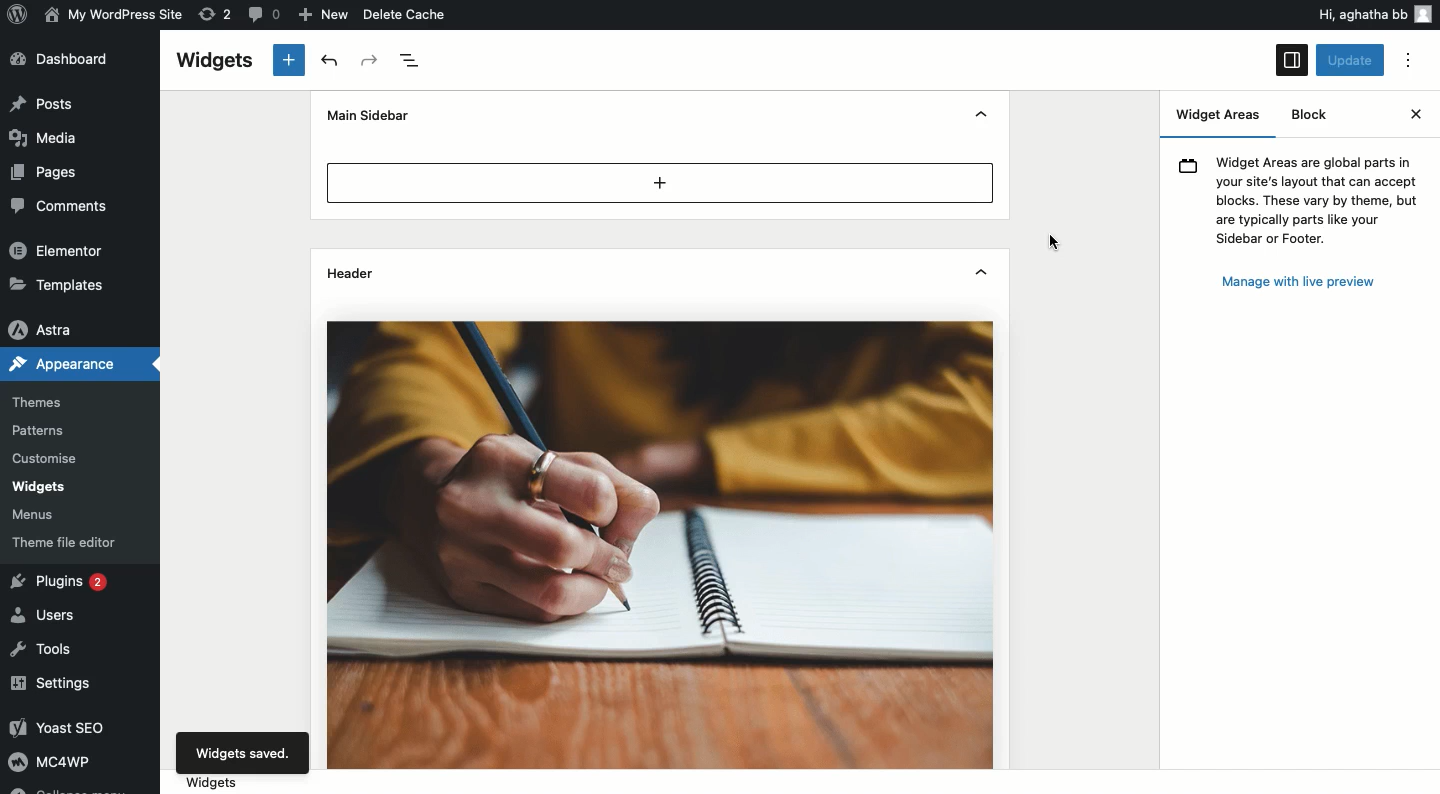  Describe the element at coordinates (43, 651) in the screenshot. I see `Tools` at that location.